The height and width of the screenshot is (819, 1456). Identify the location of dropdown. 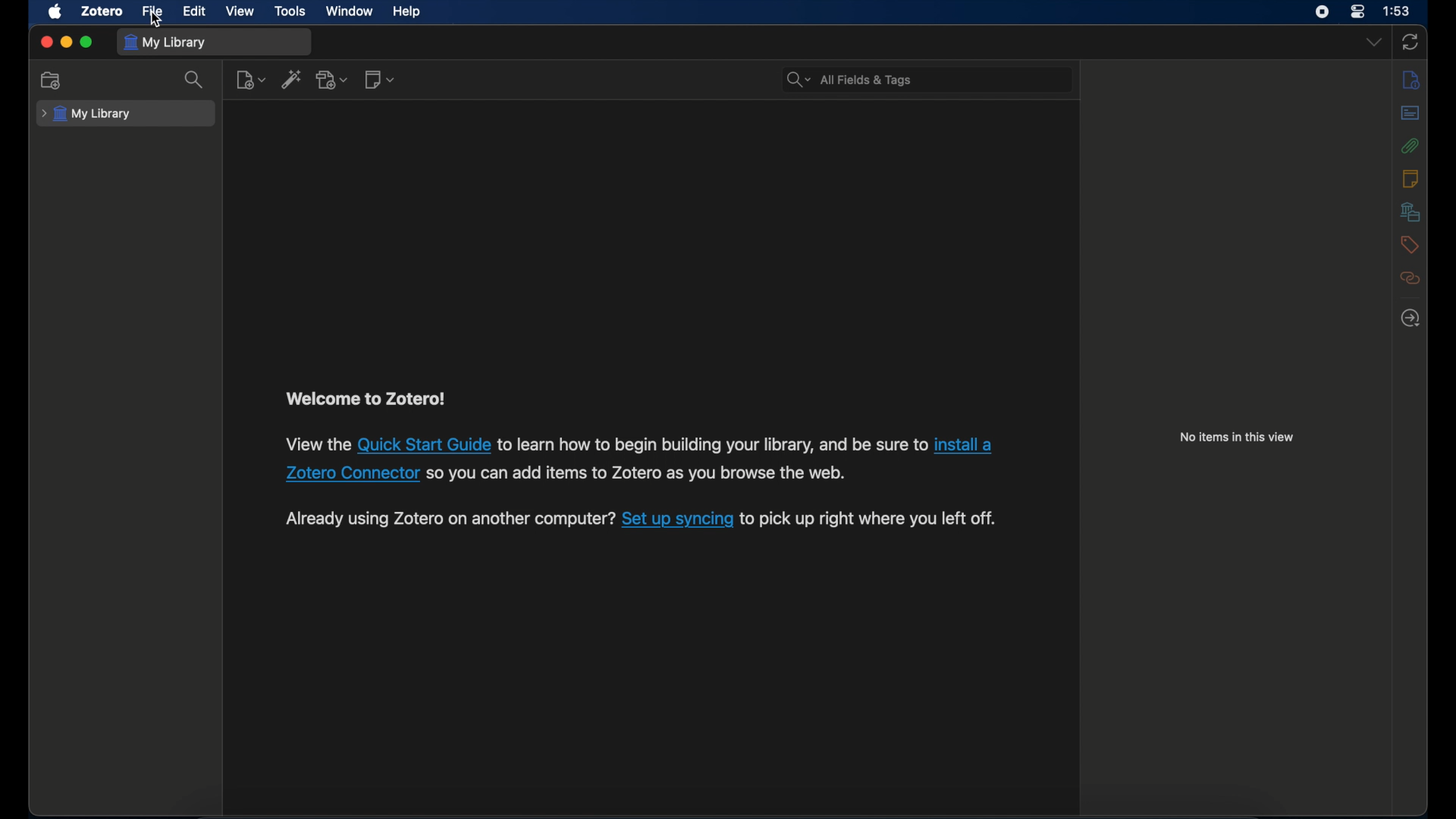
(1373, 42).